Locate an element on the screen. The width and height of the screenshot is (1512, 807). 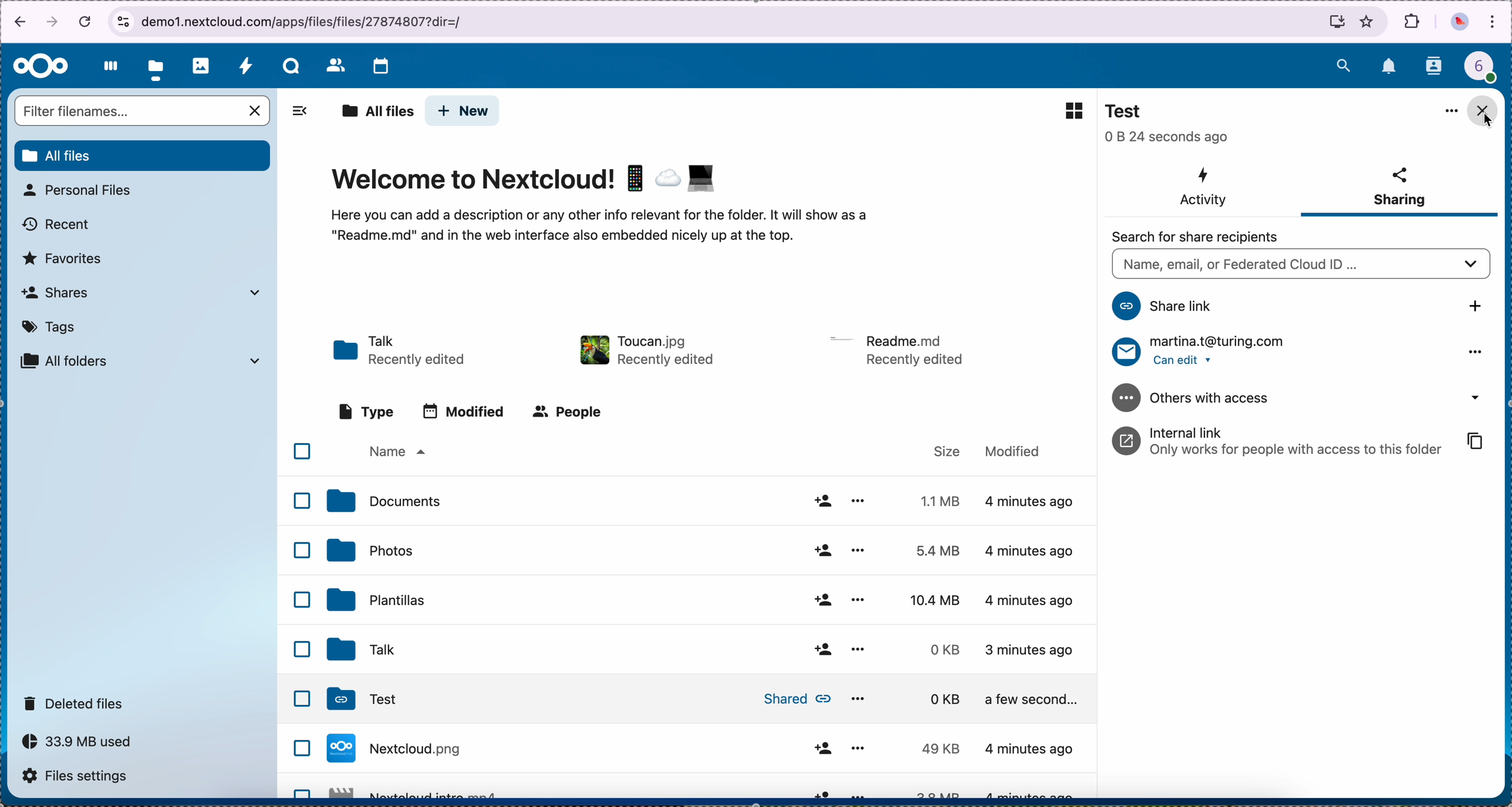
capacity is located at coordinates (83, 745).